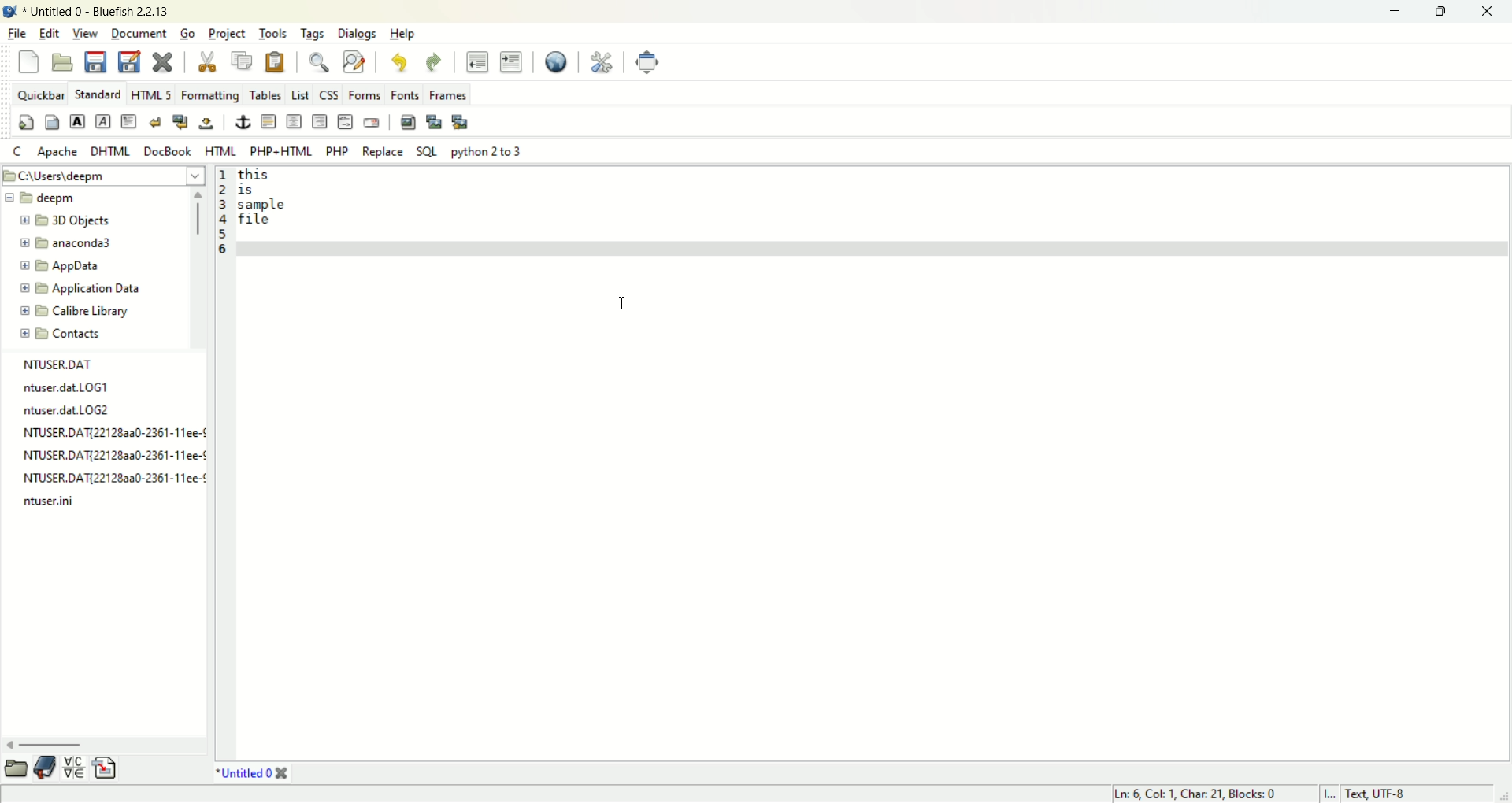 This screenshot has width=1512, height=803. Describe the element at coordinates (1489, 12) in the screenshot. I see `close` at that location.